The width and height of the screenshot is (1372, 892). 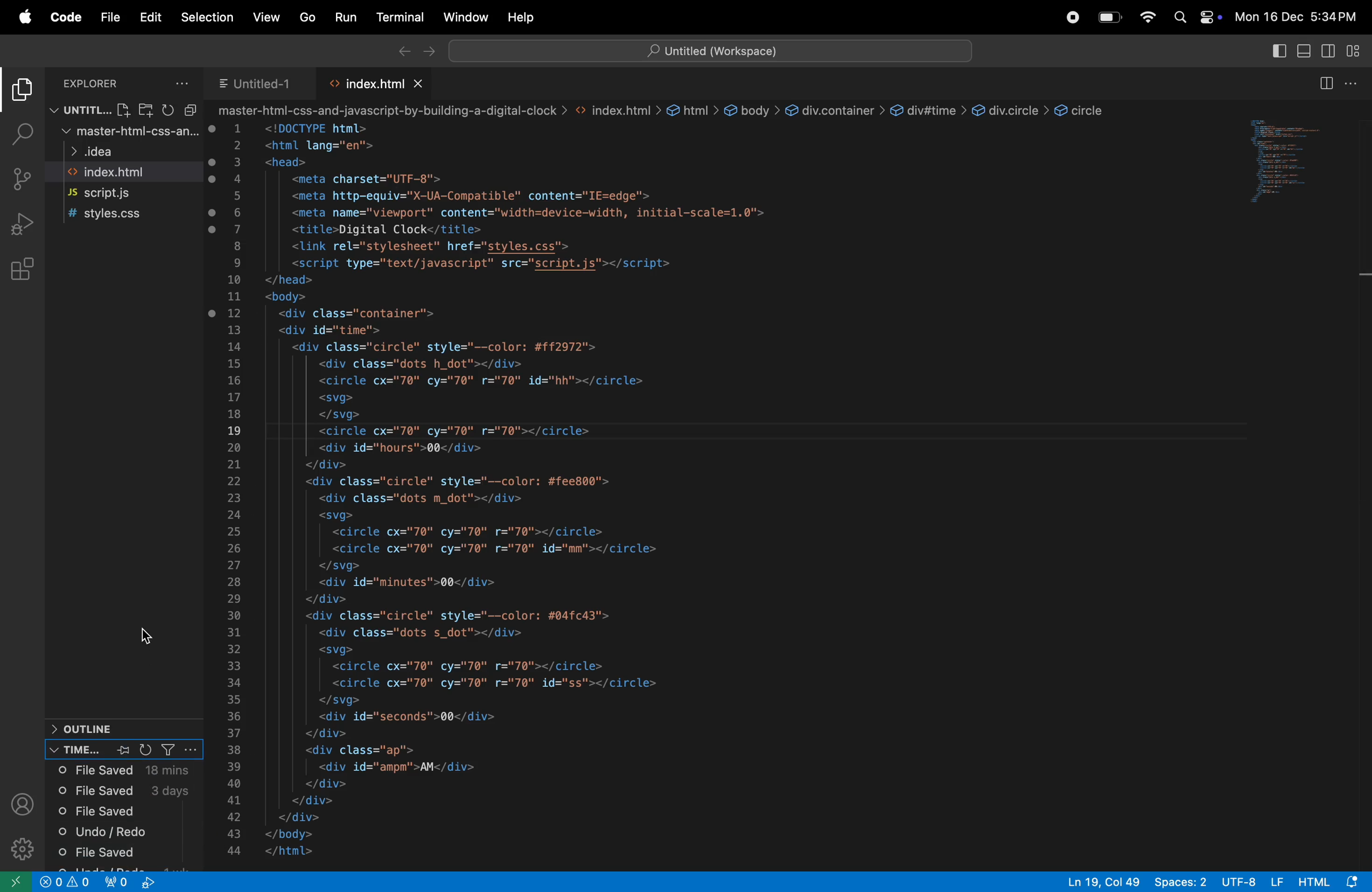 What do you see at coordinates (24, 803) in the screenshot?
I see `profile` at bounding box center [24, 803].